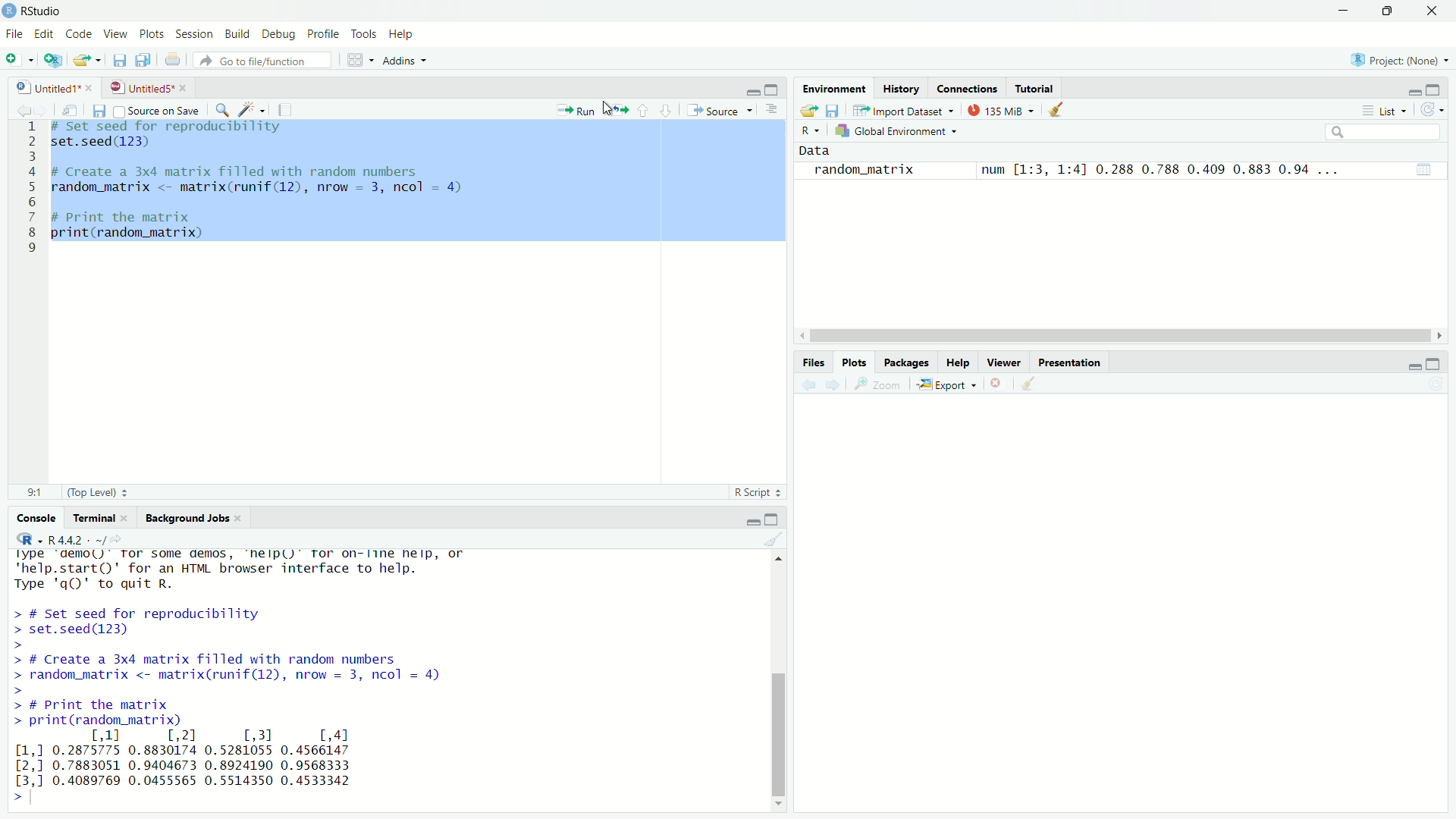 Image resolution: width=1456 pixels, height=819 pixels. I want to click on minimise, so click(745, 91).